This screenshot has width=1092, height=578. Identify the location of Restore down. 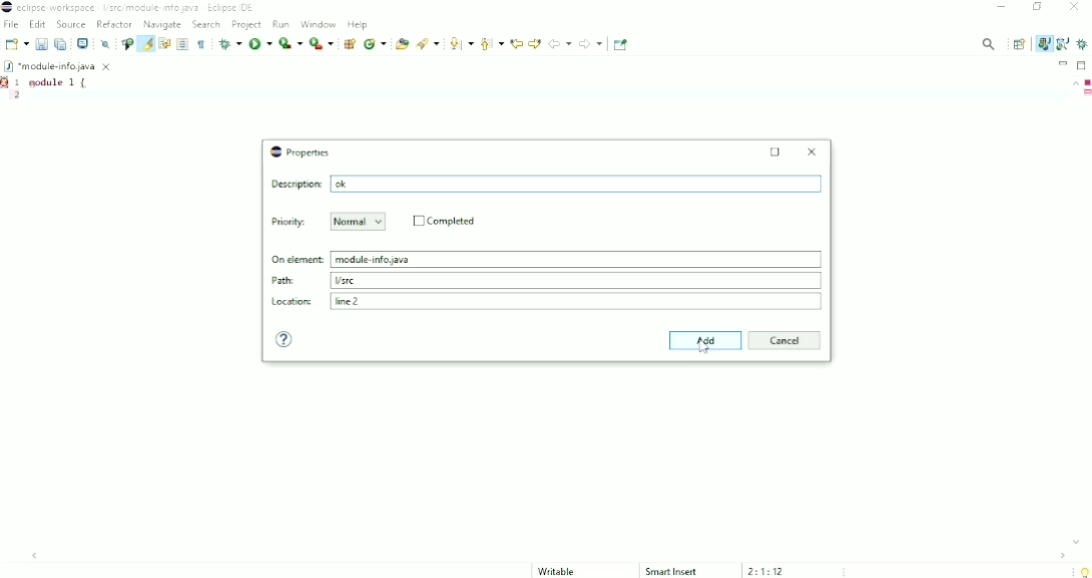
(1038, 9).